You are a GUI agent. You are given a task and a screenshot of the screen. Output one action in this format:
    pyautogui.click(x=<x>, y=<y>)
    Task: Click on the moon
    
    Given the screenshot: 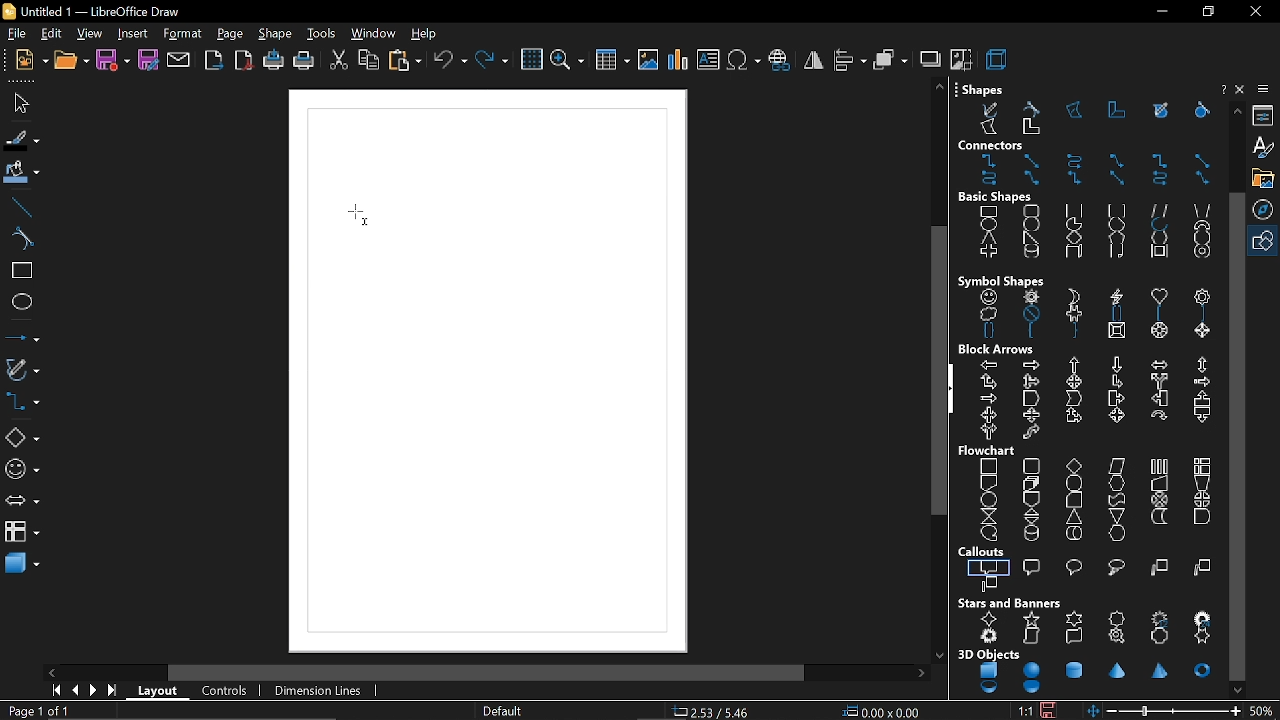 What is the action you would take?
    pyautogui.click(x=1071, y=294)
    